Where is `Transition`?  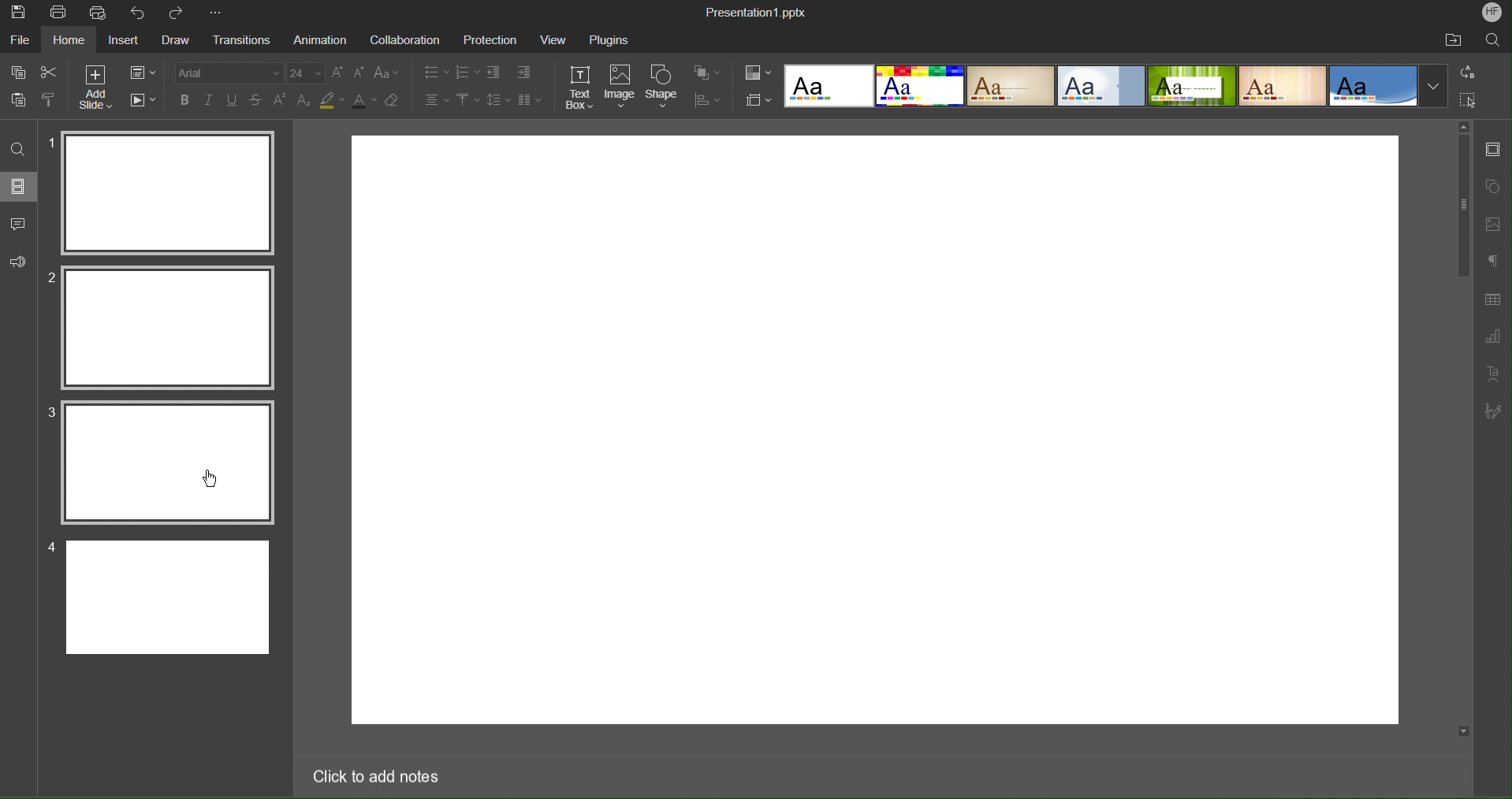
Transition is located at coordinates (237, 41).